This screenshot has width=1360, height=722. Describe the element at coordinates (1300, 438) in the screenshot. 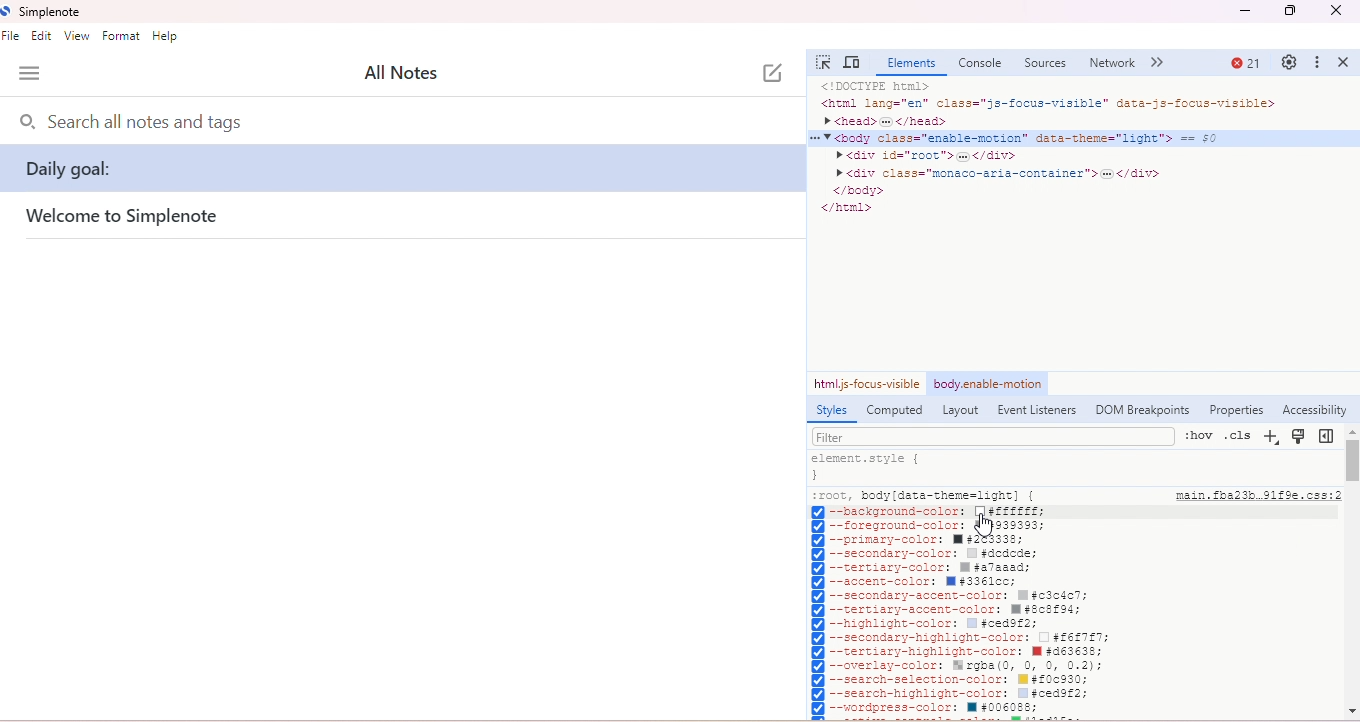

I see `toggle rendering emulations` at that location.